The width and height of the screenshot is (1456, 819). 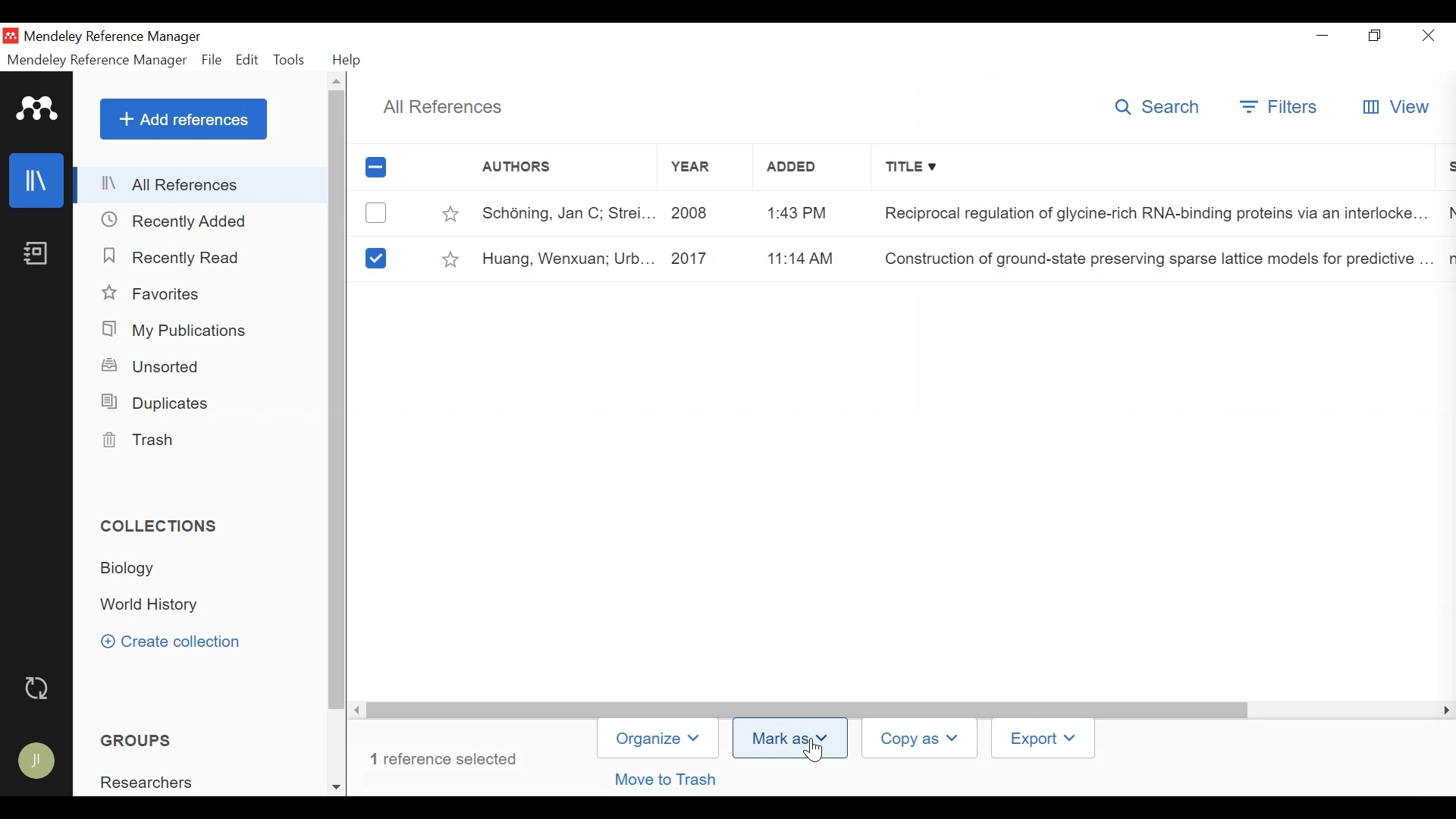 I want to click on Vertical Scroll bar, so click(x=811, y=708).